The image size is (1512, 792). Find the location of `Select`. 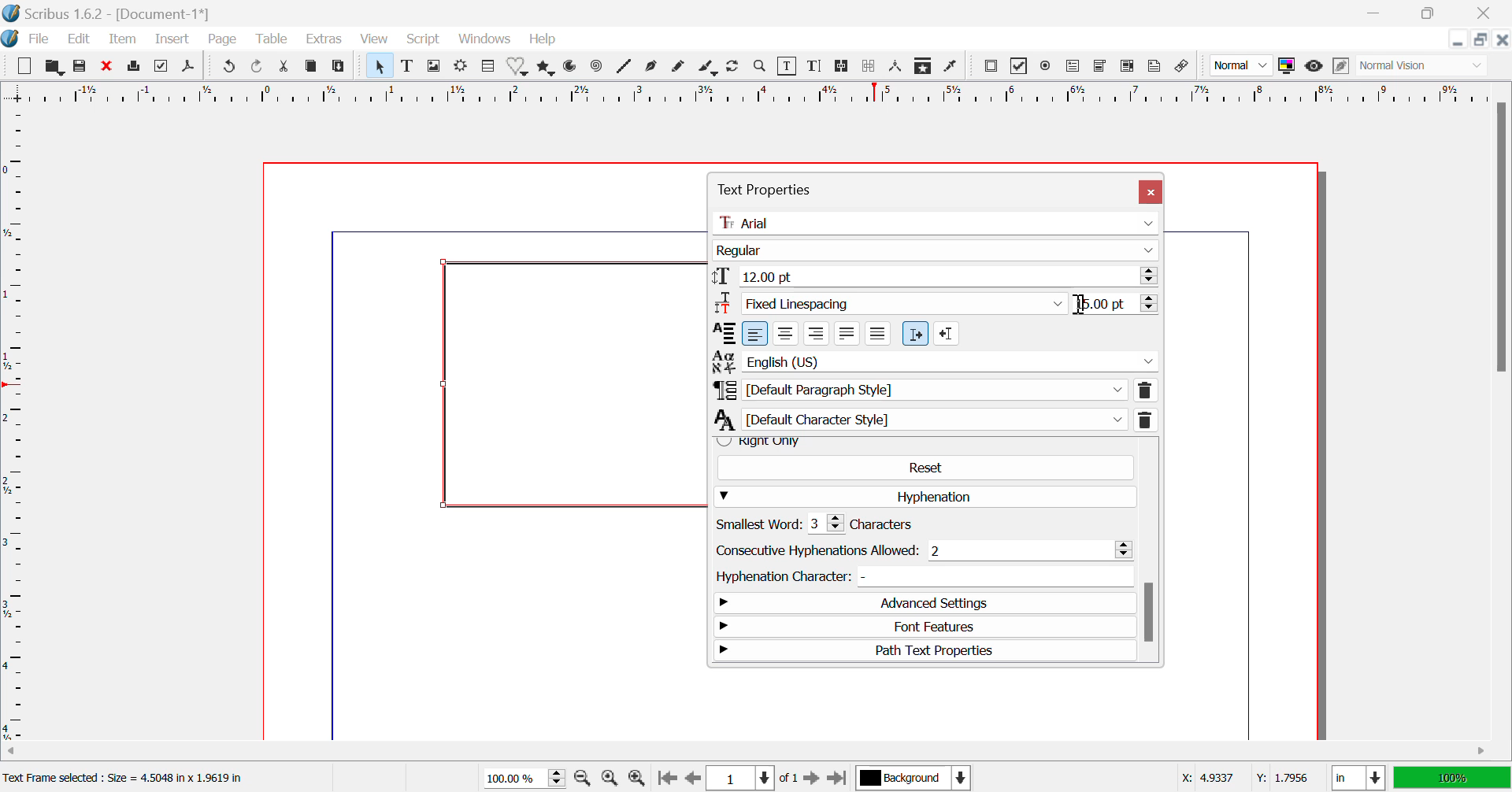

Select is located at coordinates (379, 65).